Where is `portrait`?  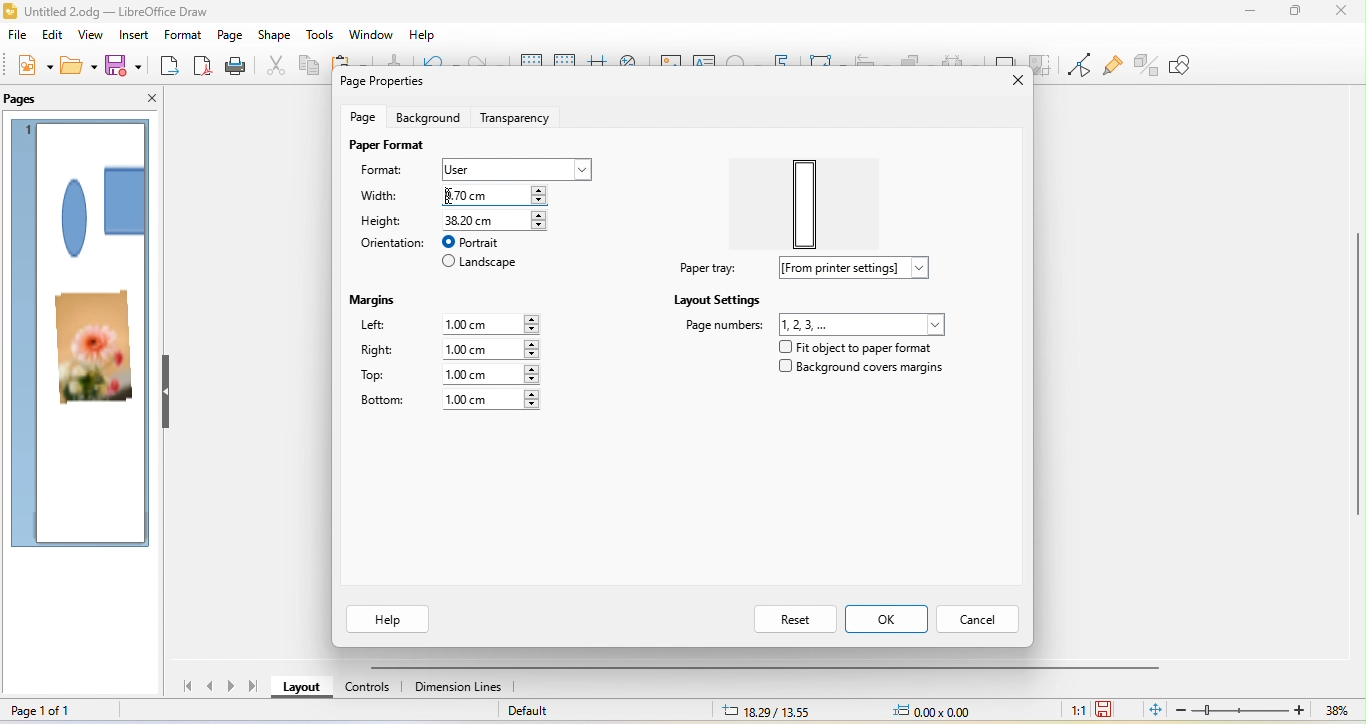 portrait is located at coordinates (479, 241).